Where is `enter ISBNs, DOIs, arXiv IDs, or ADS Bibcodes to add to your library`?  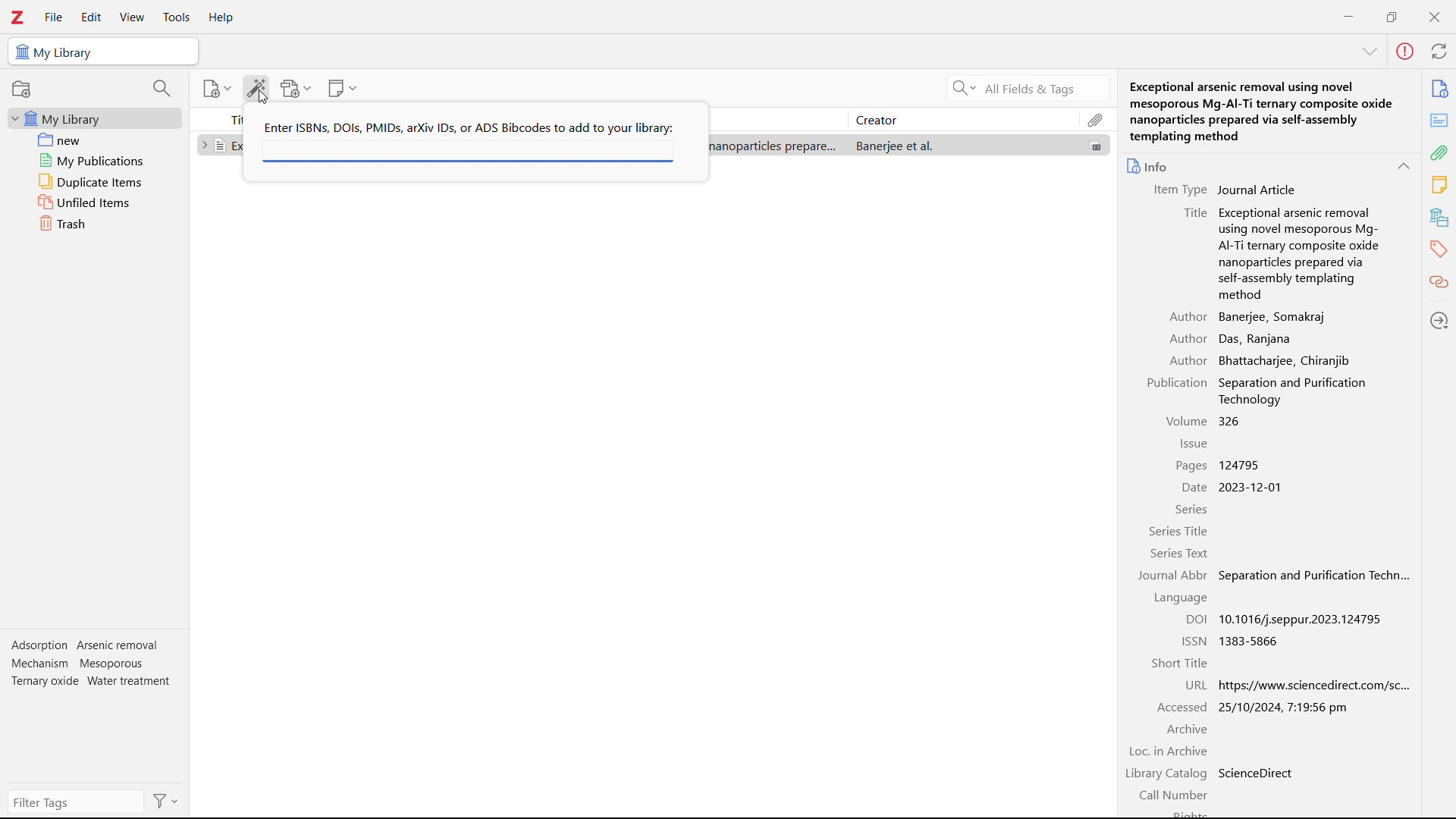
enter ISBNs, DOIs, arXiv IDs, or ADS Bibcodes to add to your library is located at coordinates (468, 152).